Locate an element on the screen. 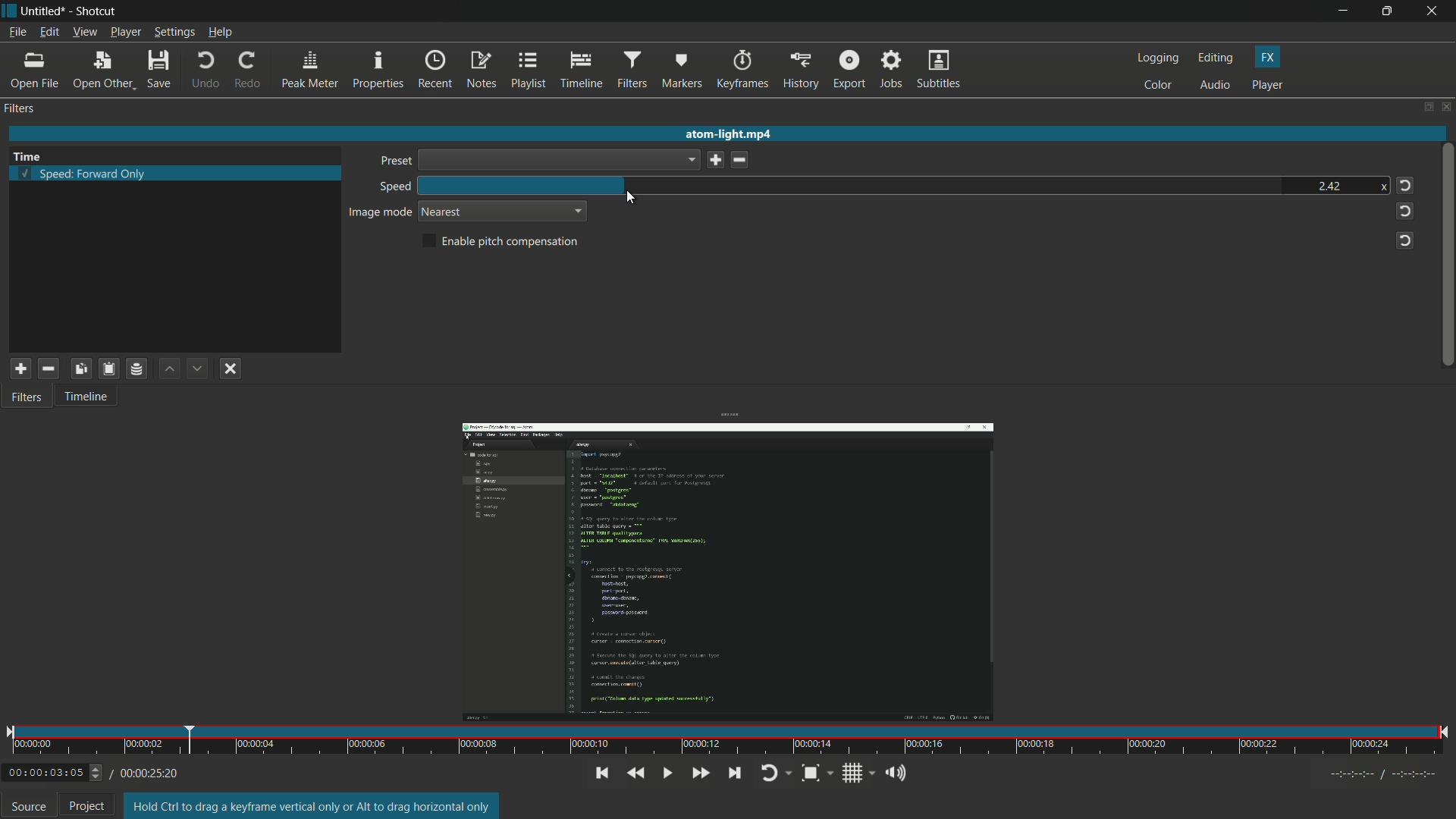 The image size is (1456, 819). toggle player looping is located at coordinates (776, 773).